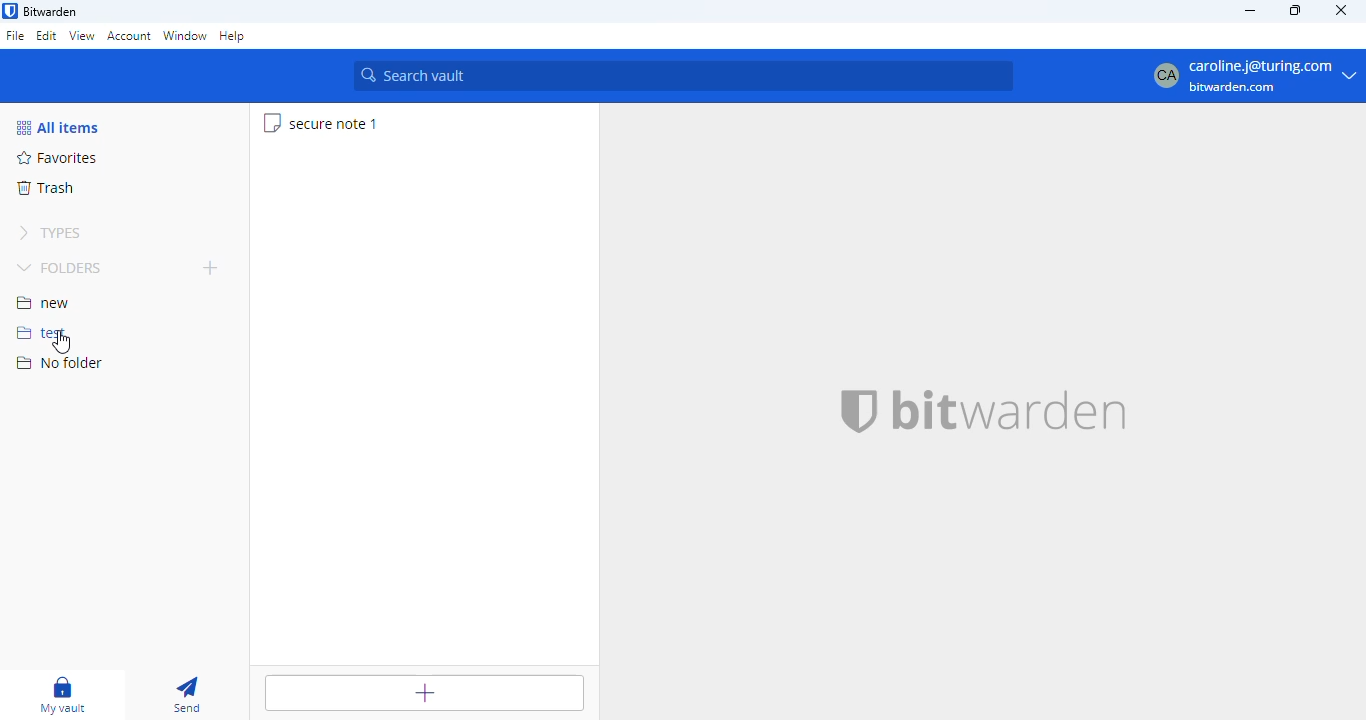 Image resolution: width=1366 pixels, height=720 pixels. Describe the element at coordinates (424, 693) in the screenshot. I see `add item` at that location.